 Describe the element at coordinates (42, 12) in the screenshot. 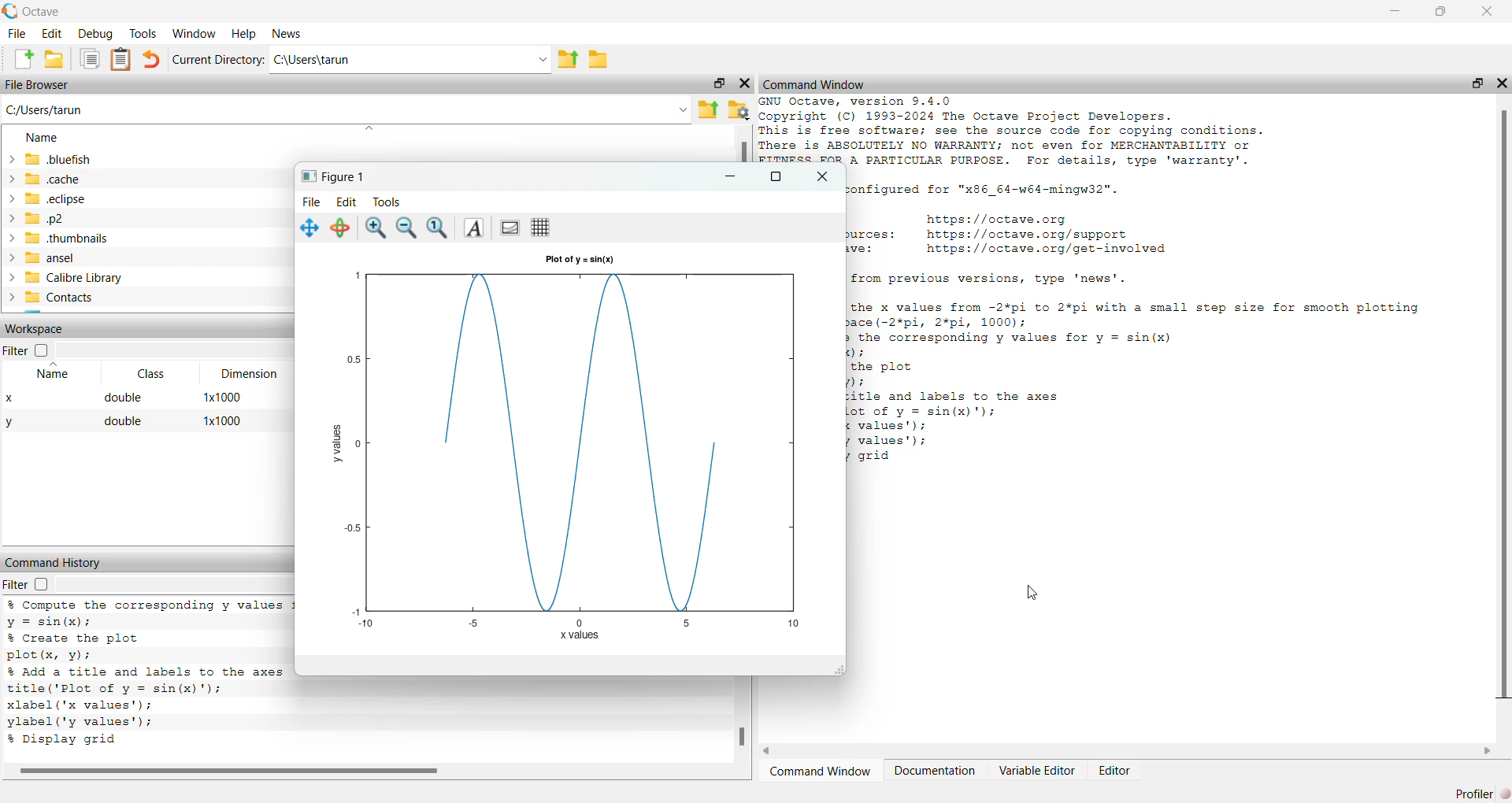

I see `Octave` at that location.